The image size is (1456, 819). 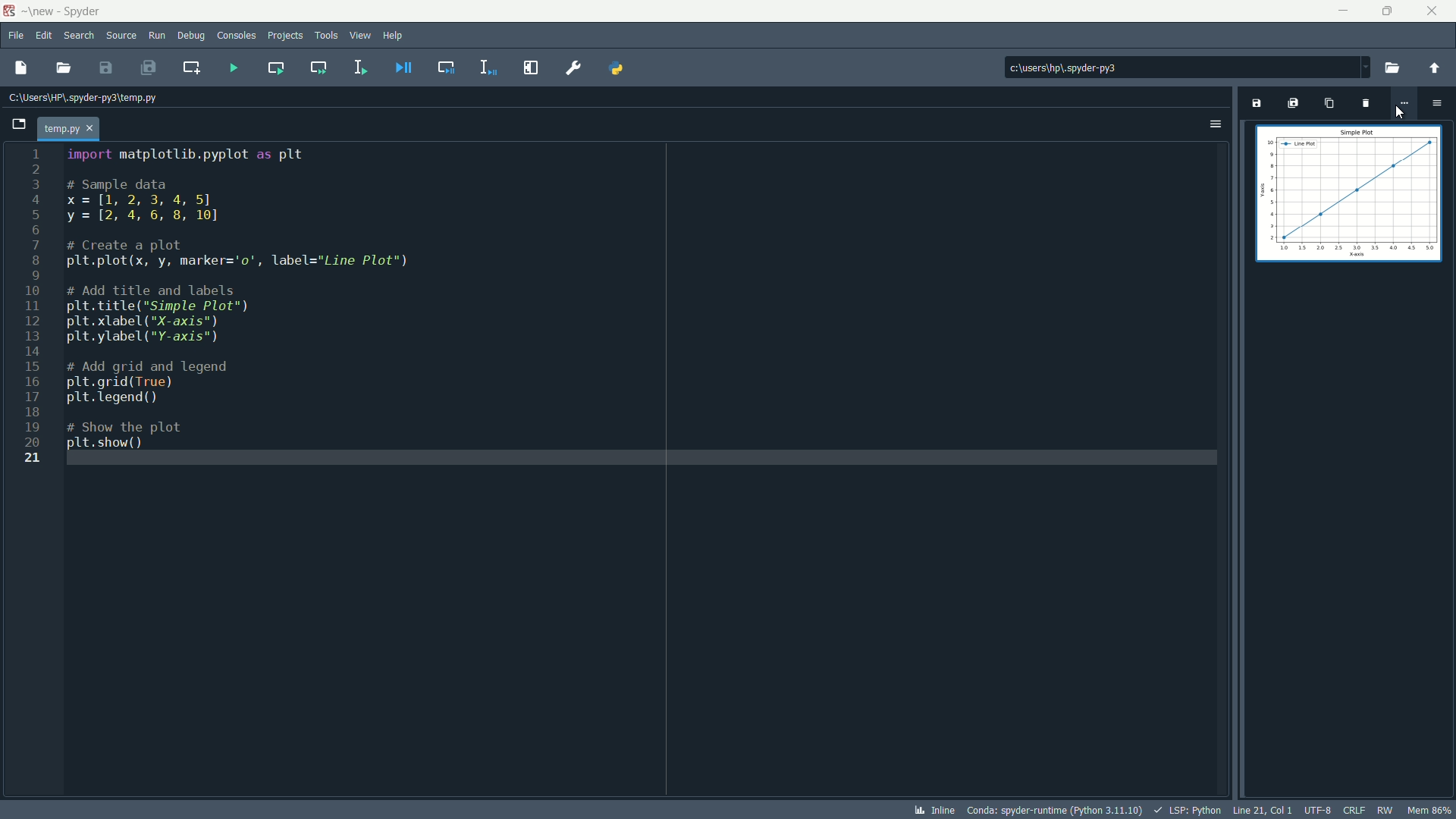 What do you see at coordinates (108, 67) in the screenshot?
I see `save file` at bounding box center [108, 67].